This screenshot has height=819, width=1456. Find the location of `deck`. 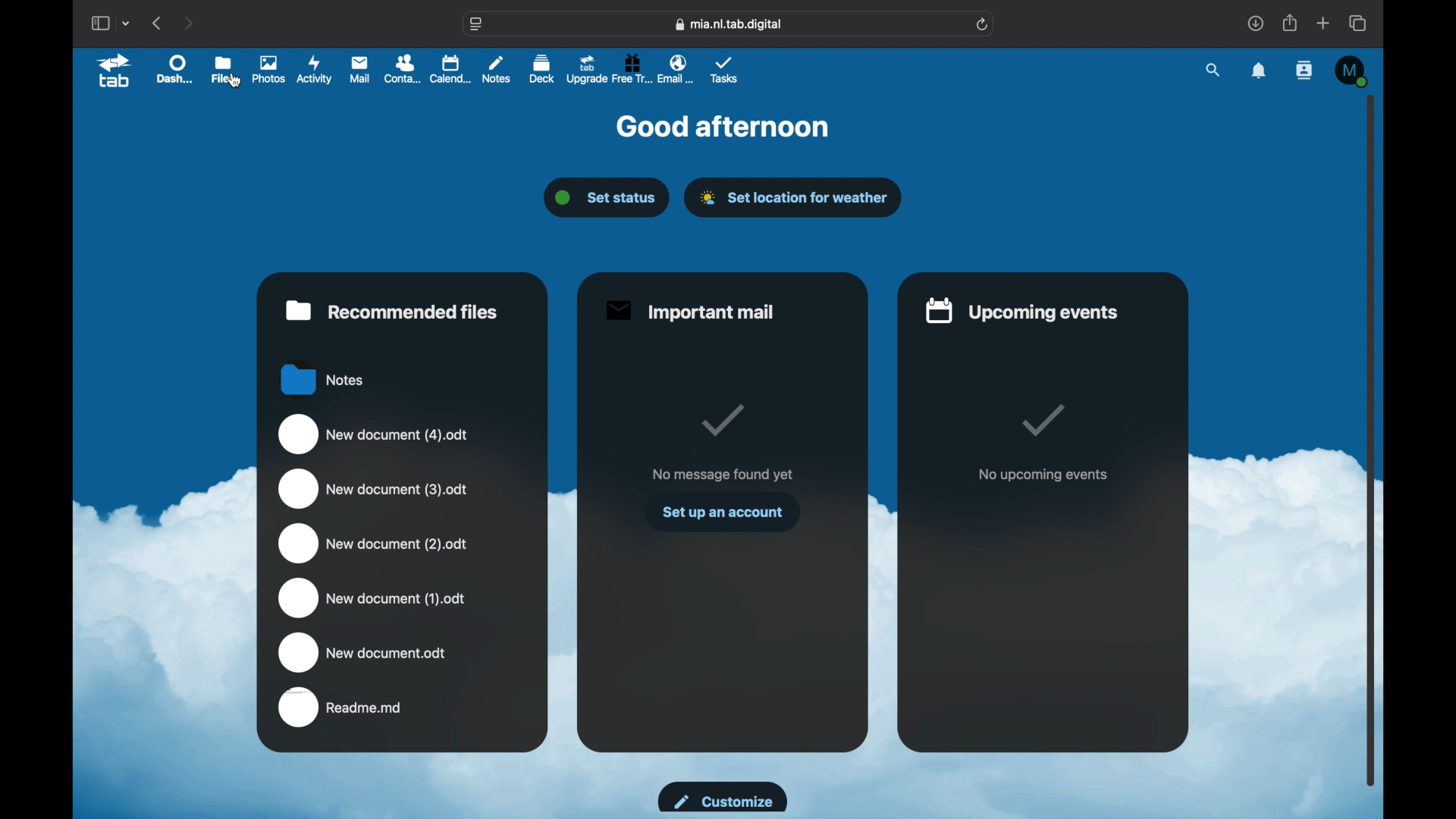

deck is located at coordinates (541, 69).